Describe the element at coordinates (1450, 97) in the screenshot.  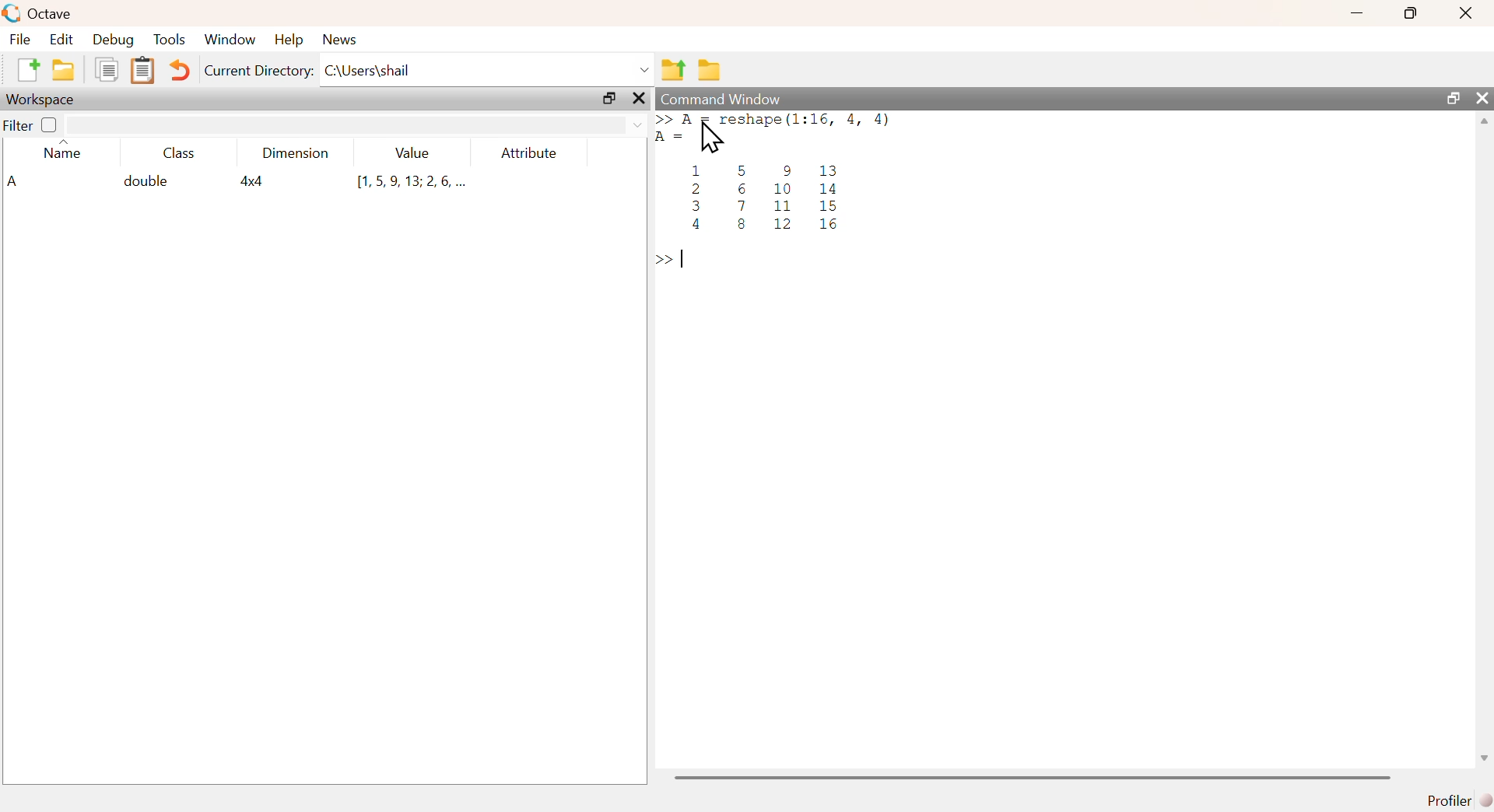
I see `maximize` at that location.